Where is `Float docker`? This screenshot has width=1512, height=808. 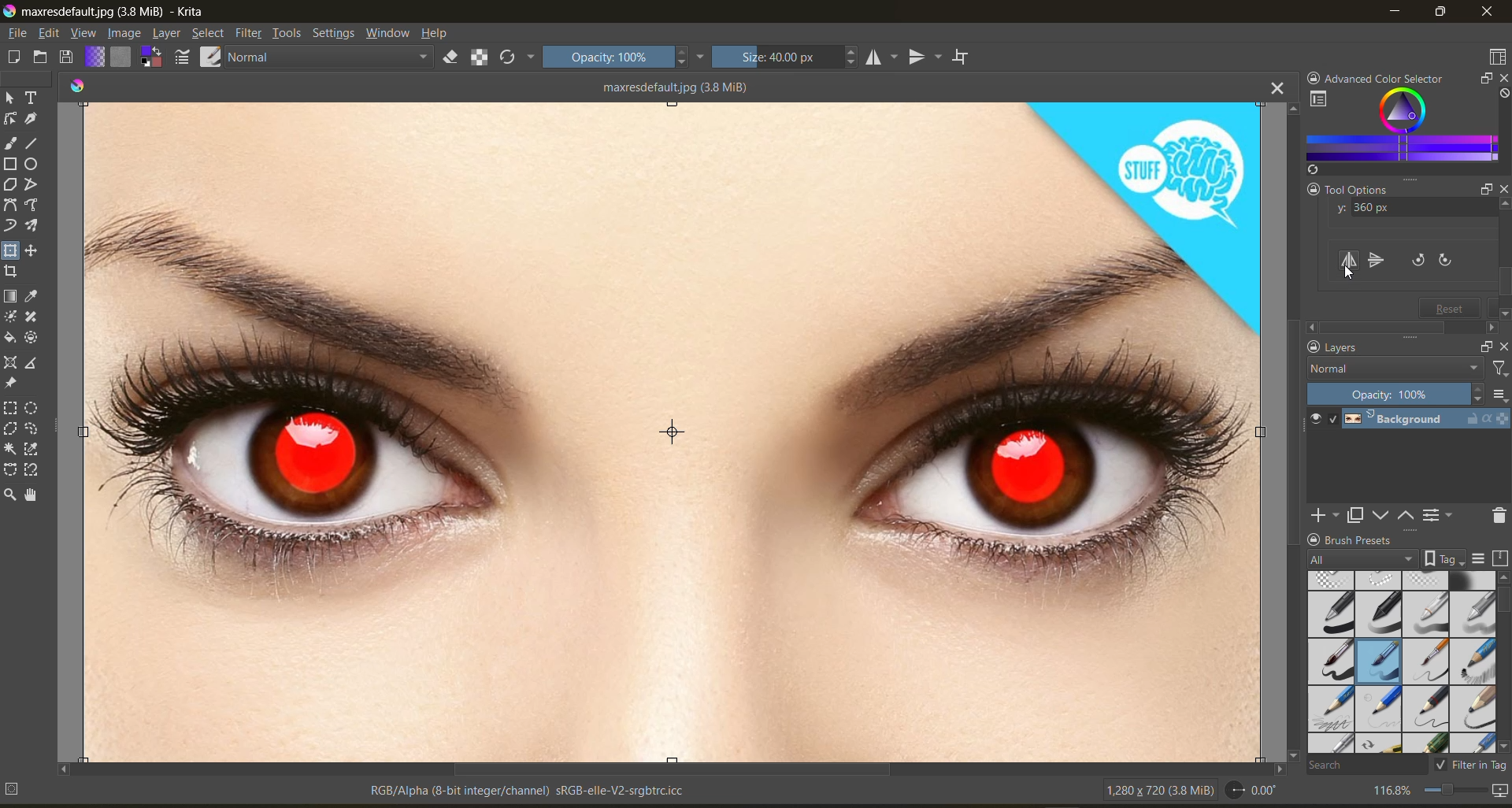
Float docker is located at coordinates (1477, 189).